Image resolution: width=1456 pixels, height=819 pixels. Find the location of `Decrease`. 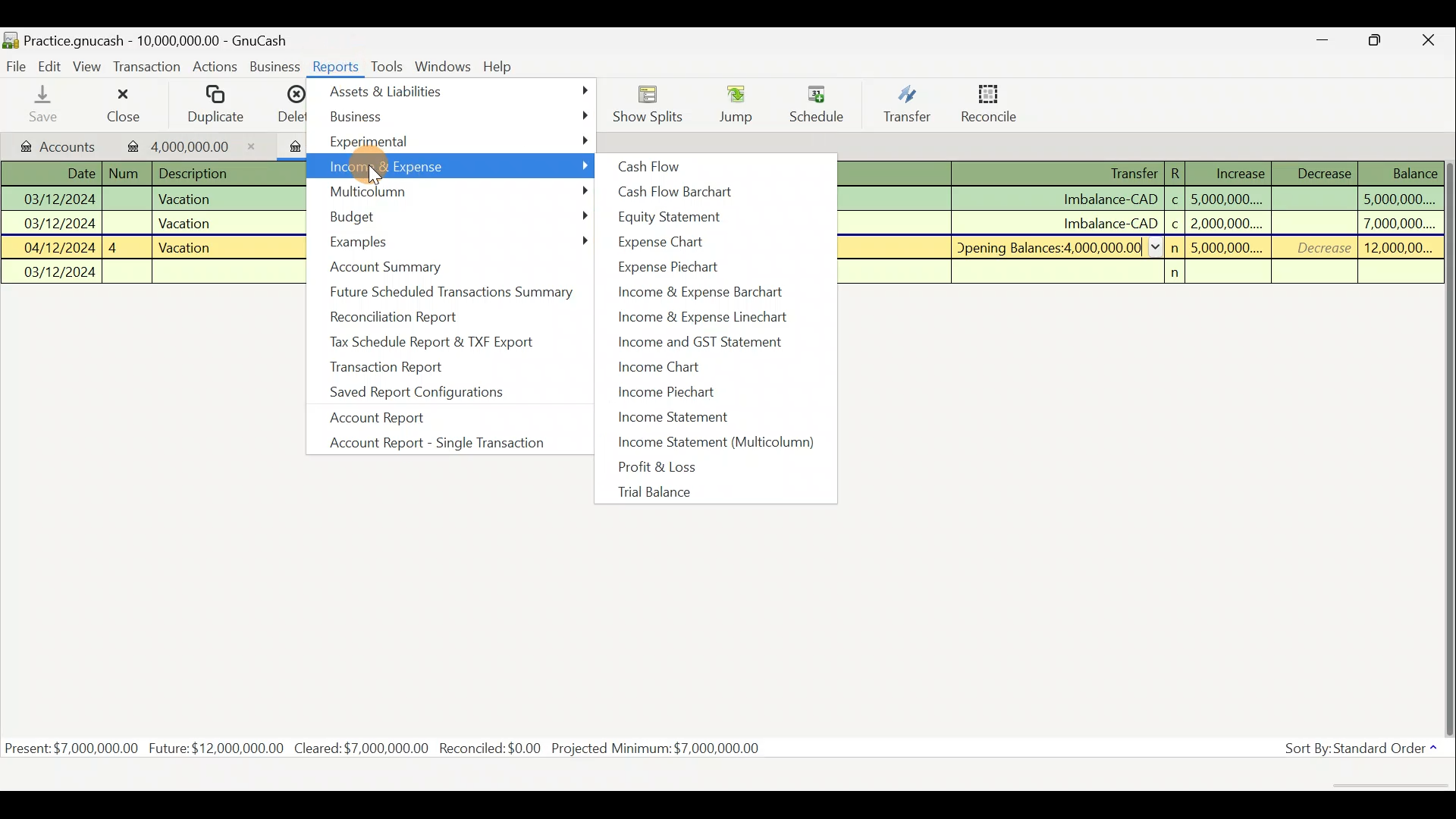

Decrease is located at coordinates (1323, 172).